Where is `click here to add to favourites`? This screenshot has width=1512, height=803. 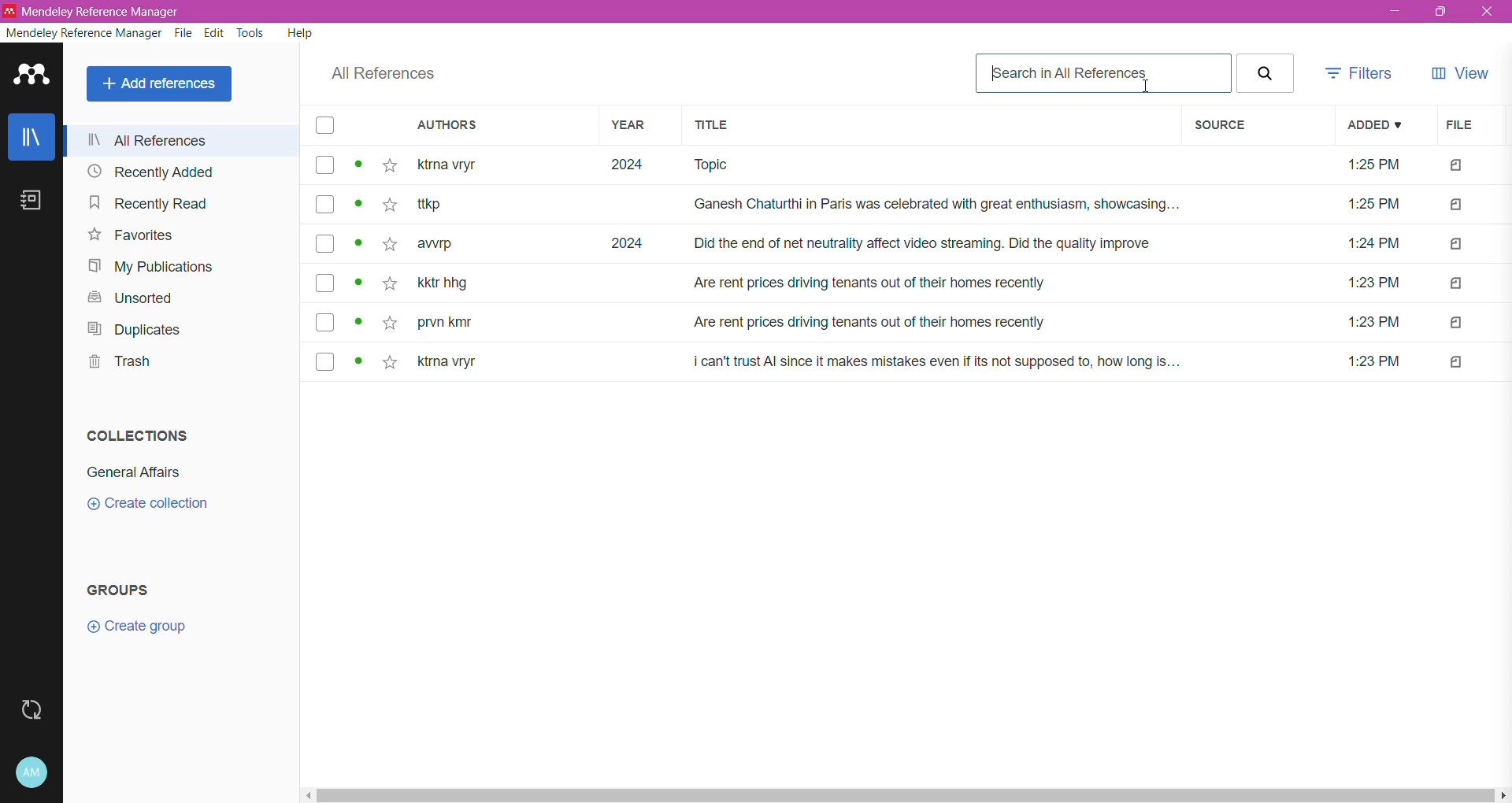
click here to add to favourites is located at coordinates (388, 204).